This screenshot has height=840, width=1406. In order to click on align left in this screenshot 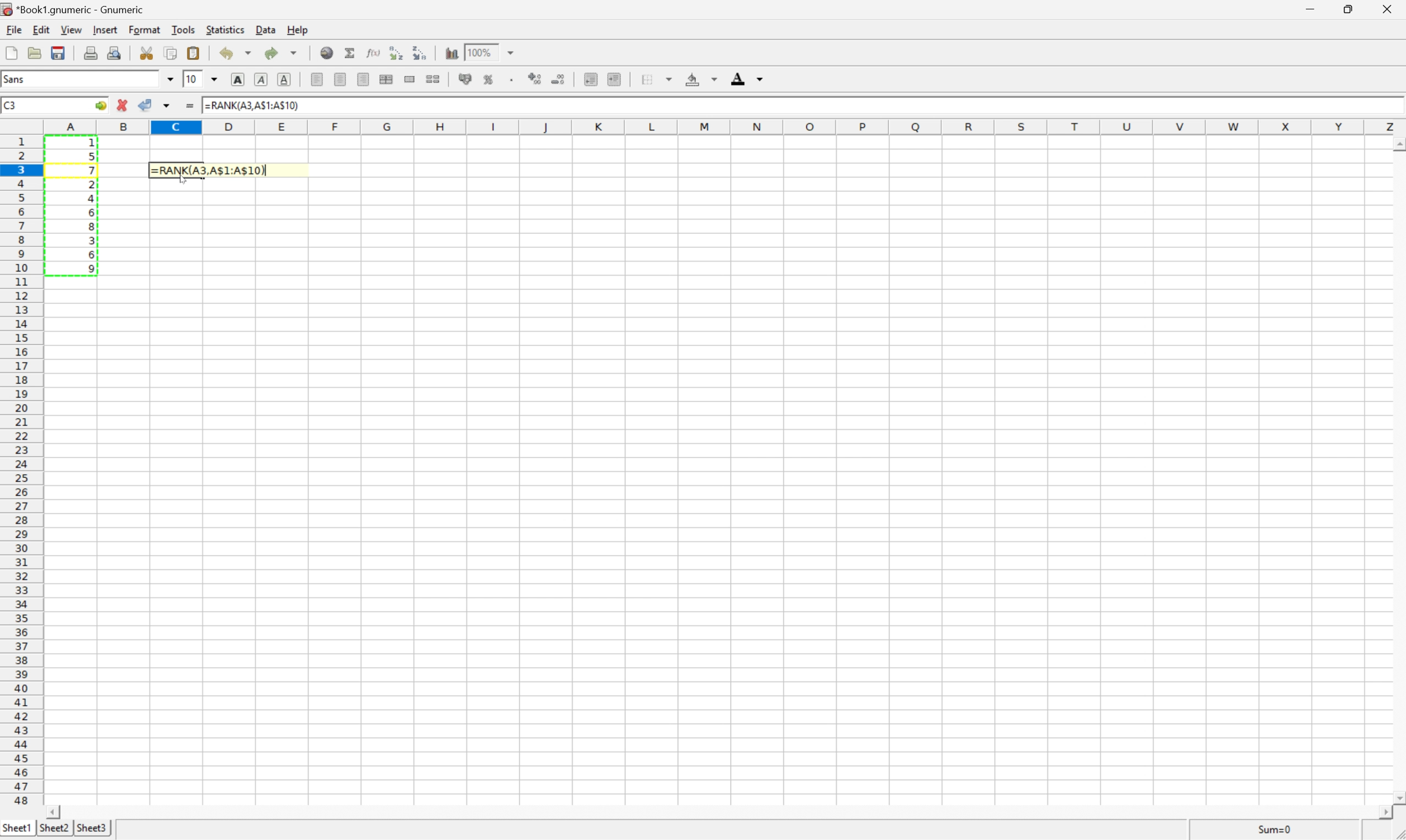, I will do `click(365, 80)`.